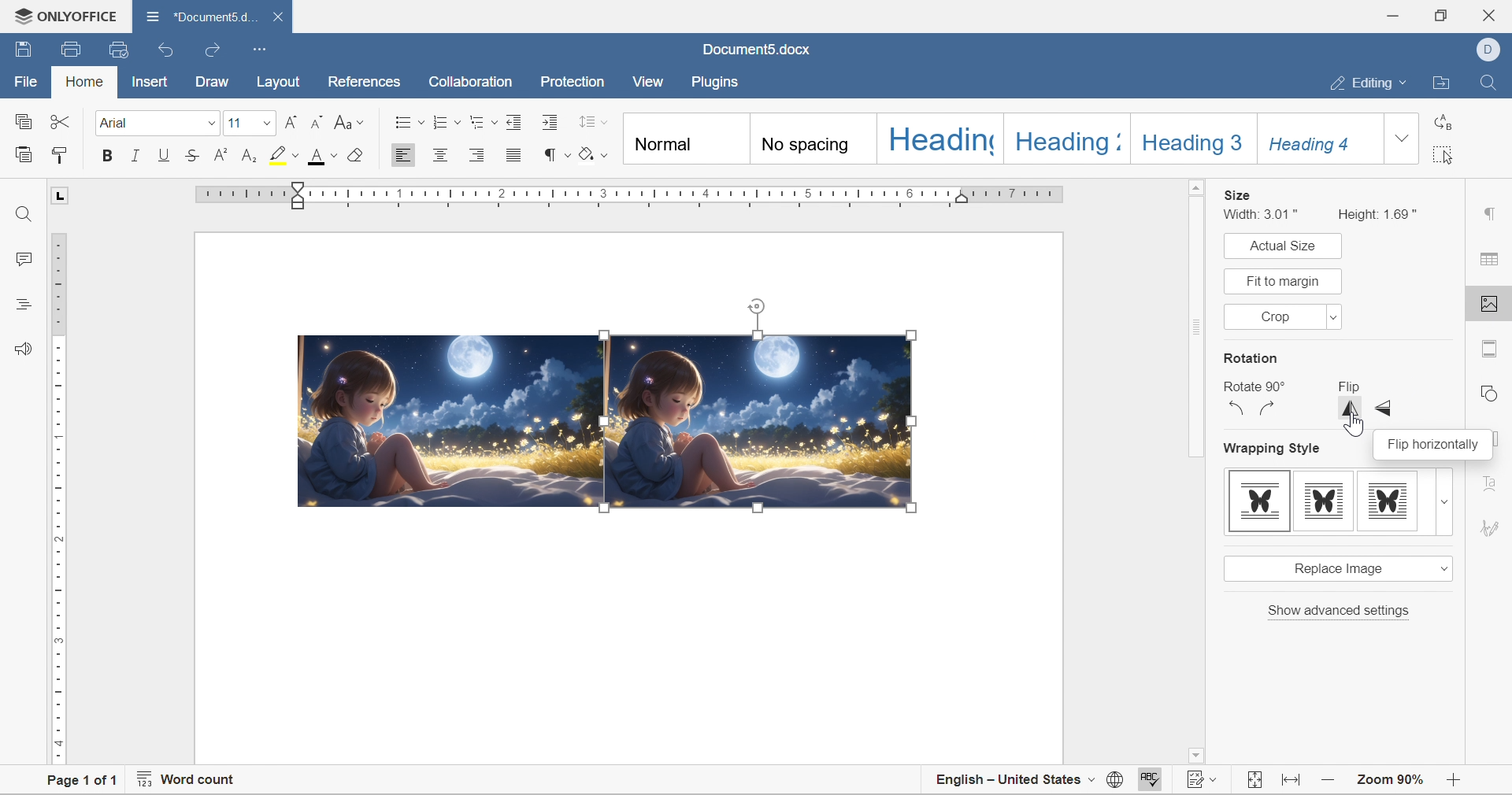  I want to click on redo, so click(215, 51).